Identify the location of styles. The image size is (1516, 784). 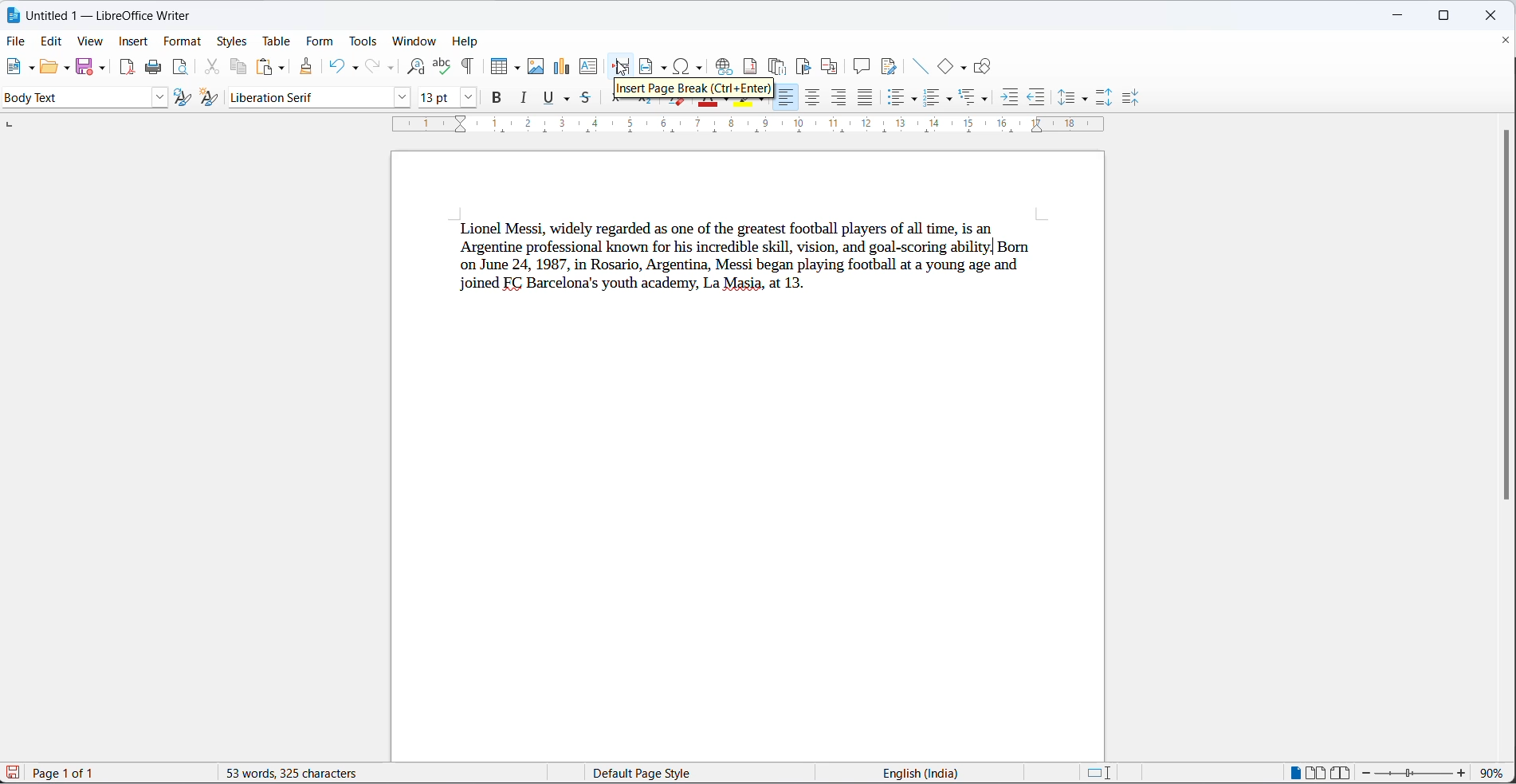
(235, 41).